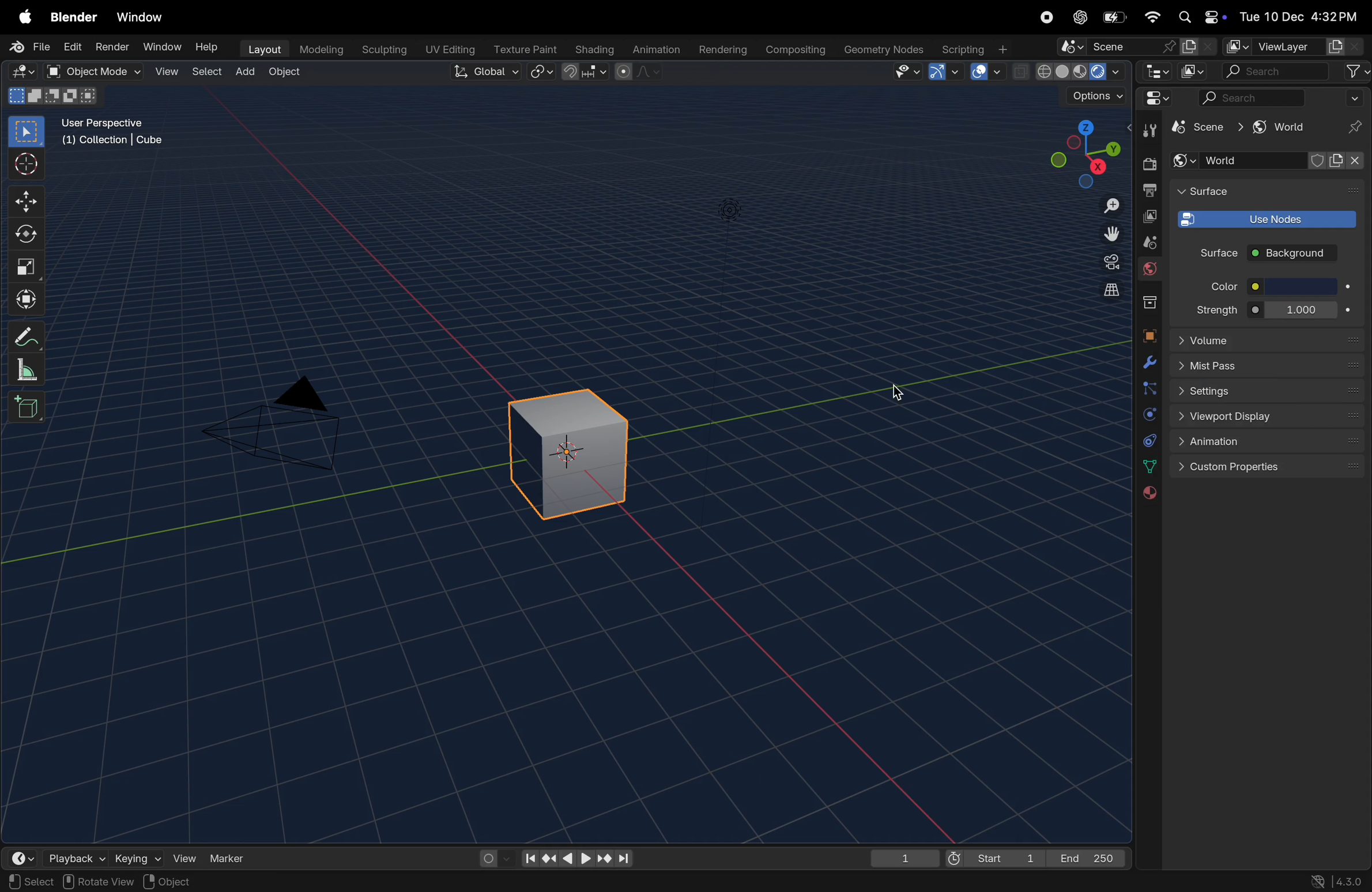 The image size is (1372, 892). Describe the element at coordinates (1269, 417) in the screenshot. I see `view port display` at that location.